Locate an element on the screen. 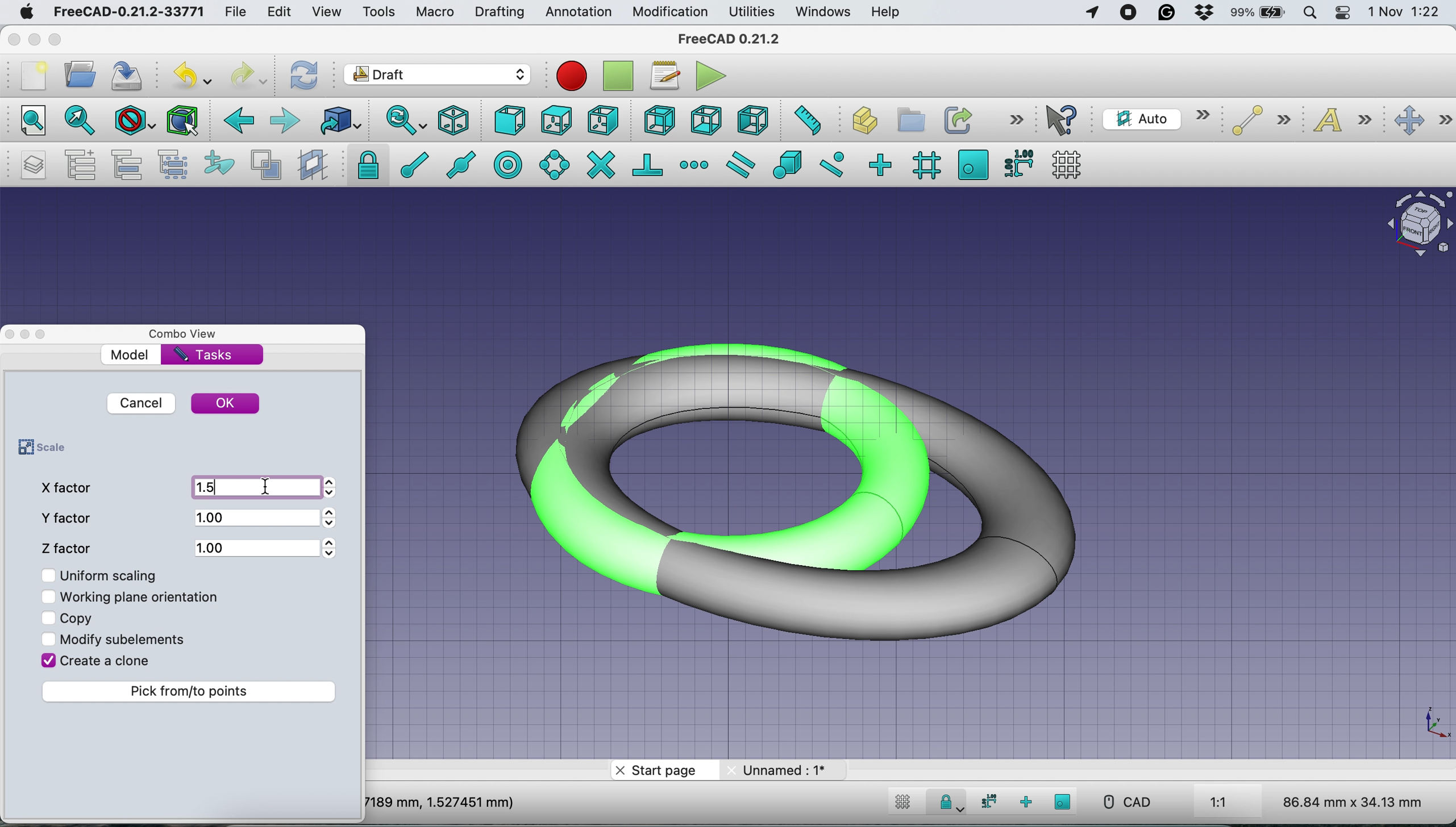  right is located at coordinates (602, 122).